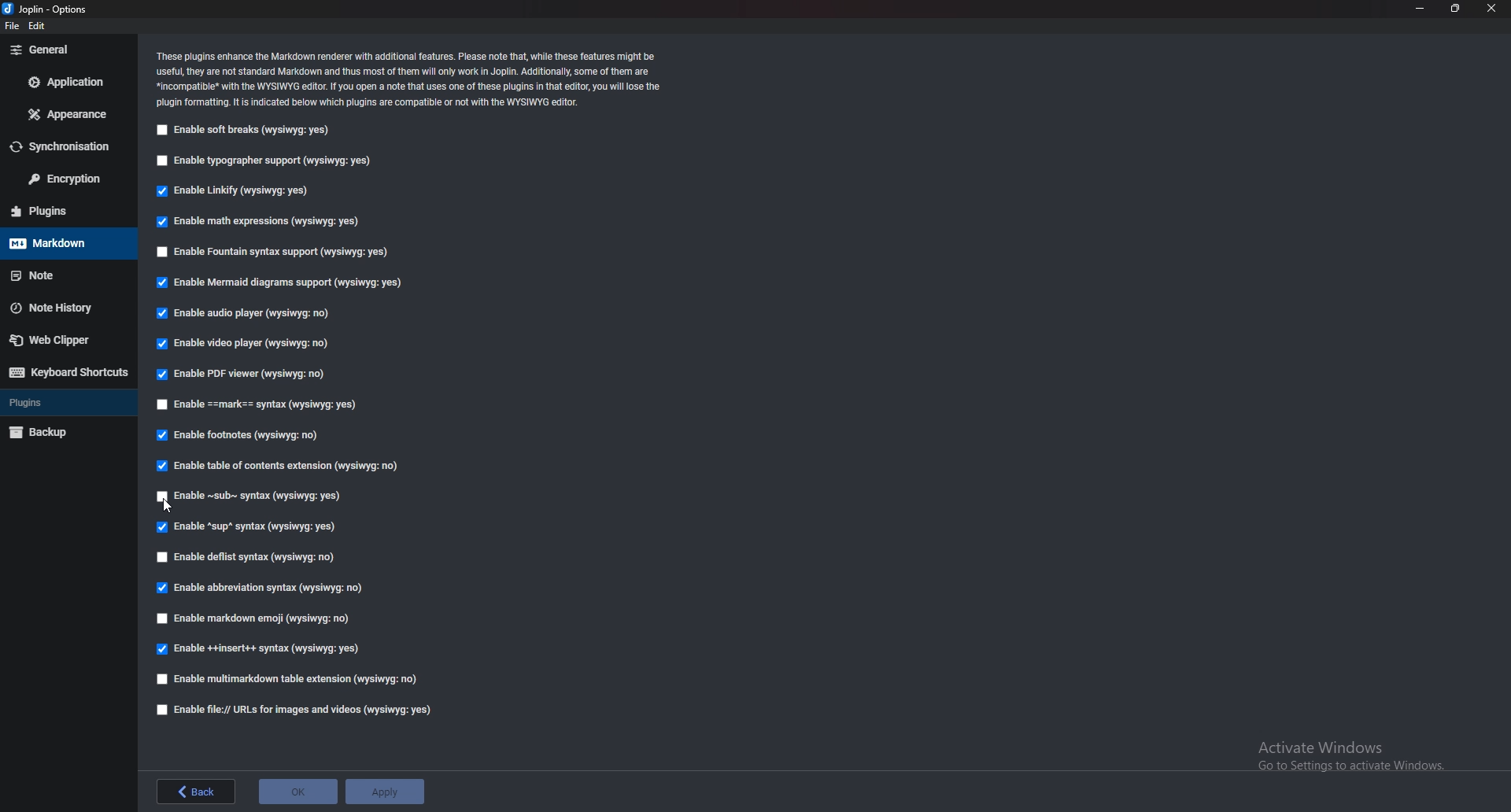 Image resolution: width=1511 pixels, height=812 pixels. I want to click on Enable mermaid diagram support, so click(283, 283).